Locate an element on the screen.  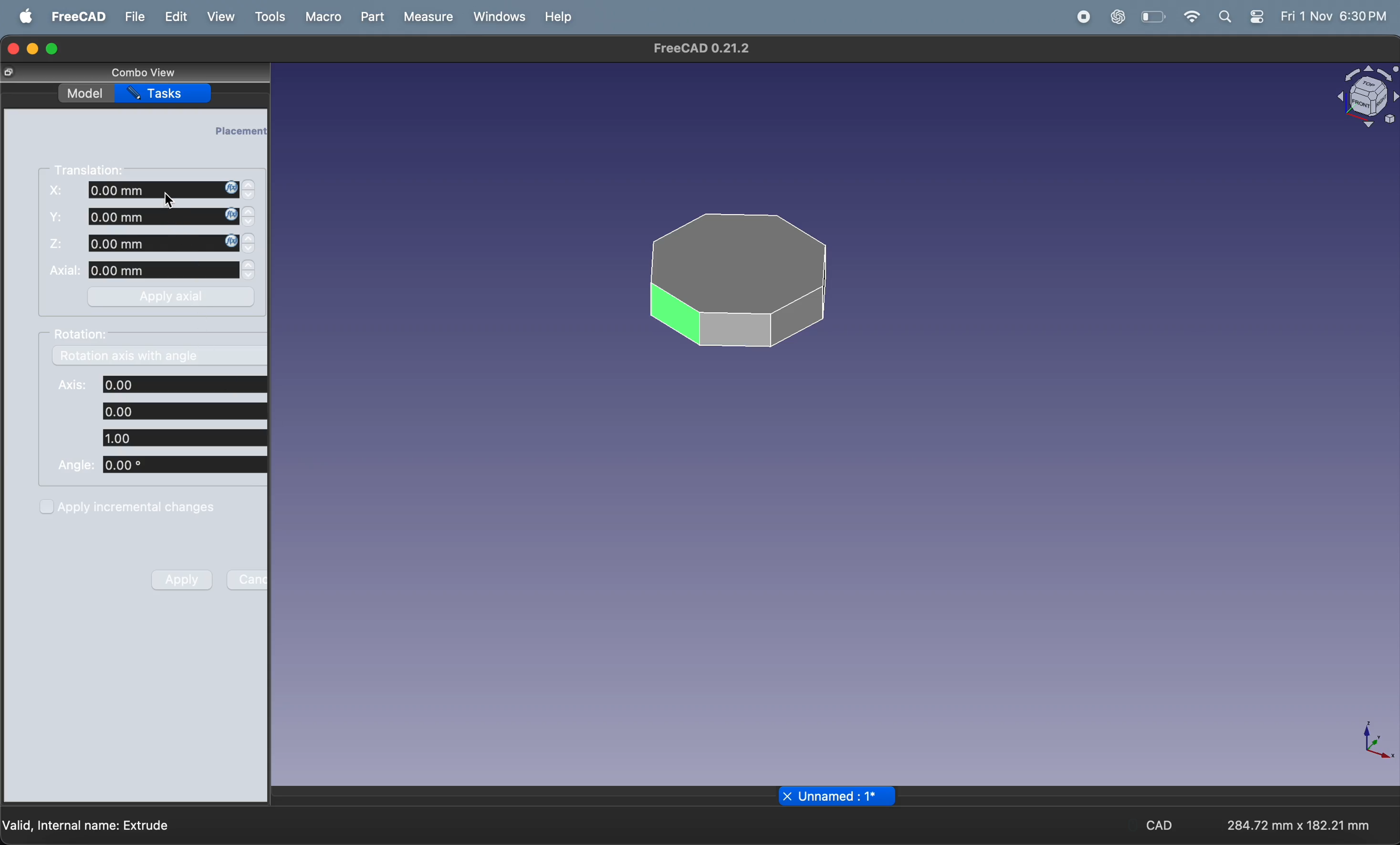
model is located at coordinates (84, 92).